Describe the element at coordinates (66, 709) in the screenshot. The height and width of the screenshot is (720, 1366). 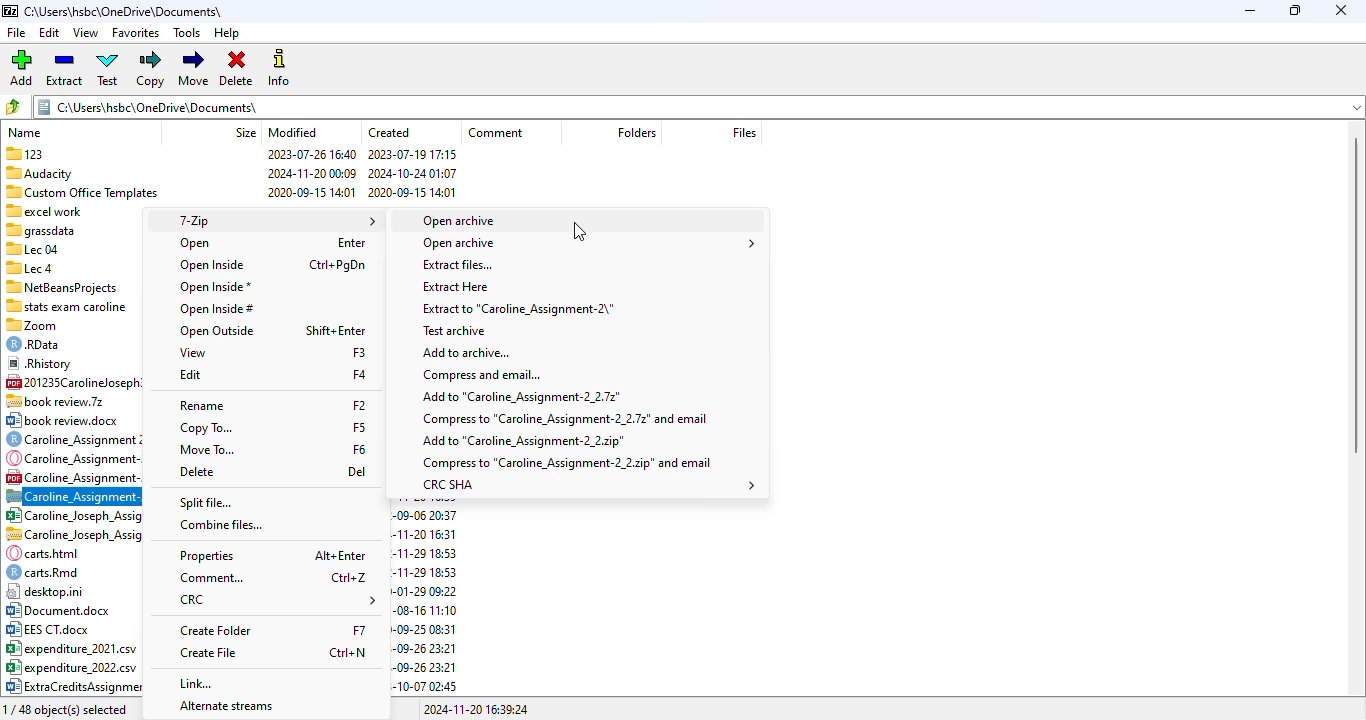
I see `1/48 object(s) selected` at that location.